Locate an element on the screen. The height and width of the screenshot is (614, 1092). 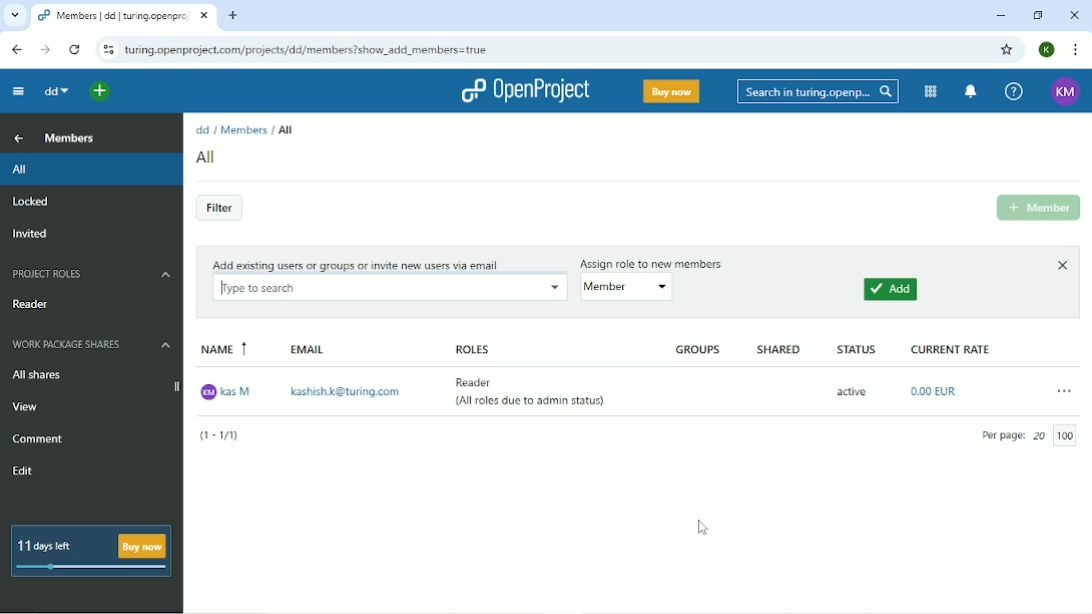
Members is located at coordinates (71, 138).